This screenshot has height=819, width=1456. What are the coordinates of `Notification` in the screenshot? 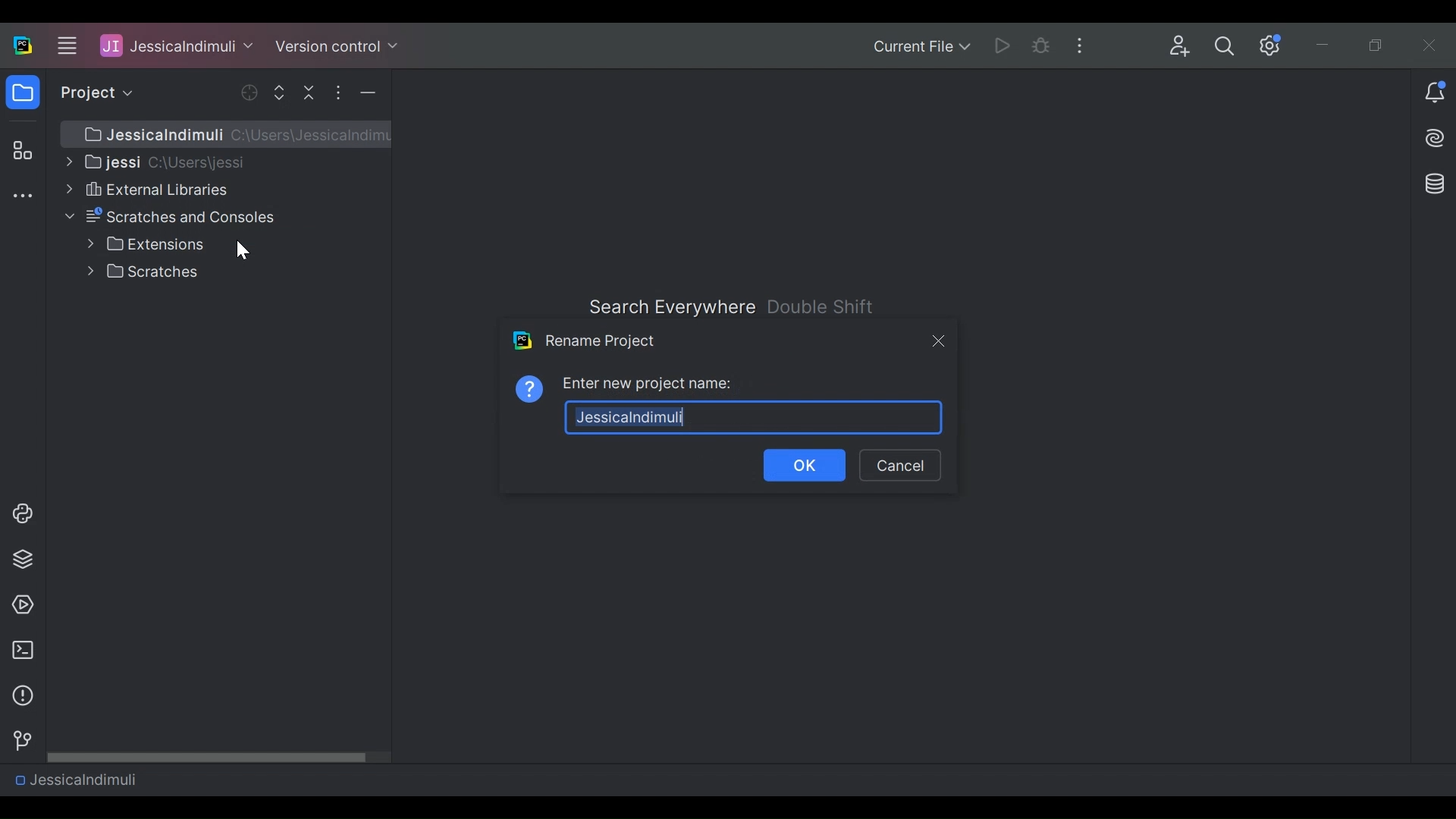 It's located at (1435, 94).